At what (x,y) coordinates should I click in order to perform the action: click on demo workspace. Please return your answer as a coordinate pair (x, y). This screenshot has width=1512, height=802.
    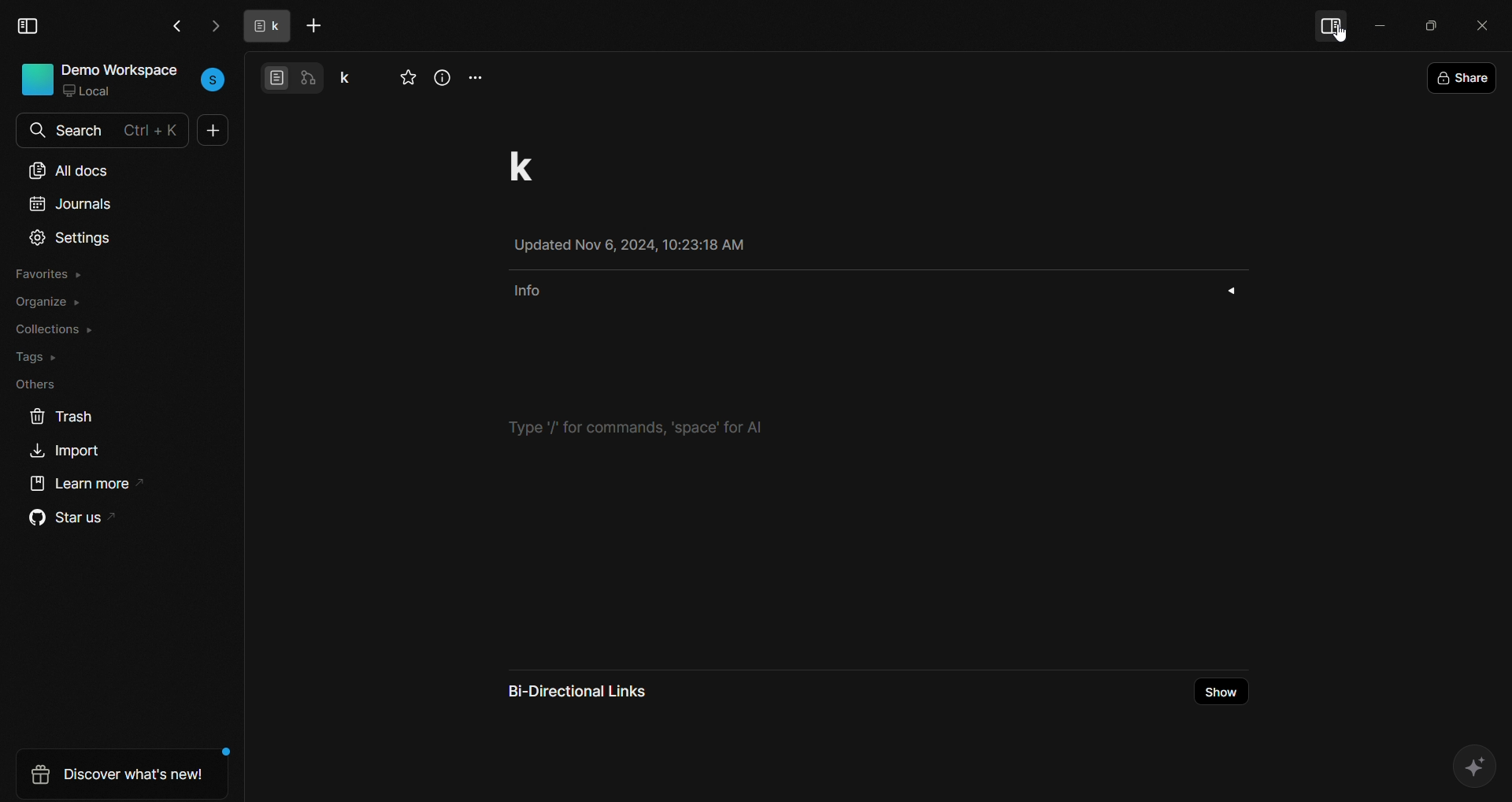
    Looking at the image, I should click on (122, 70).